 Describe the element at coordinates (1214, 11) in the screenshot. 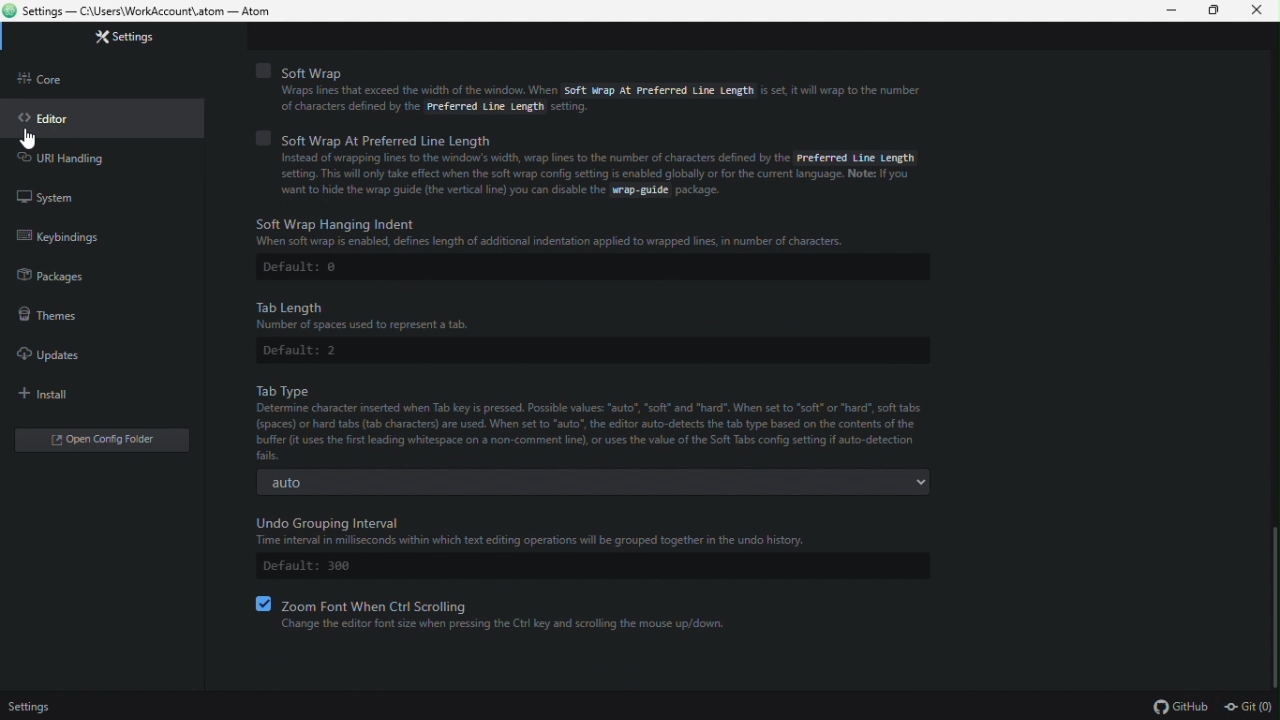

I see `Restore` at that location.